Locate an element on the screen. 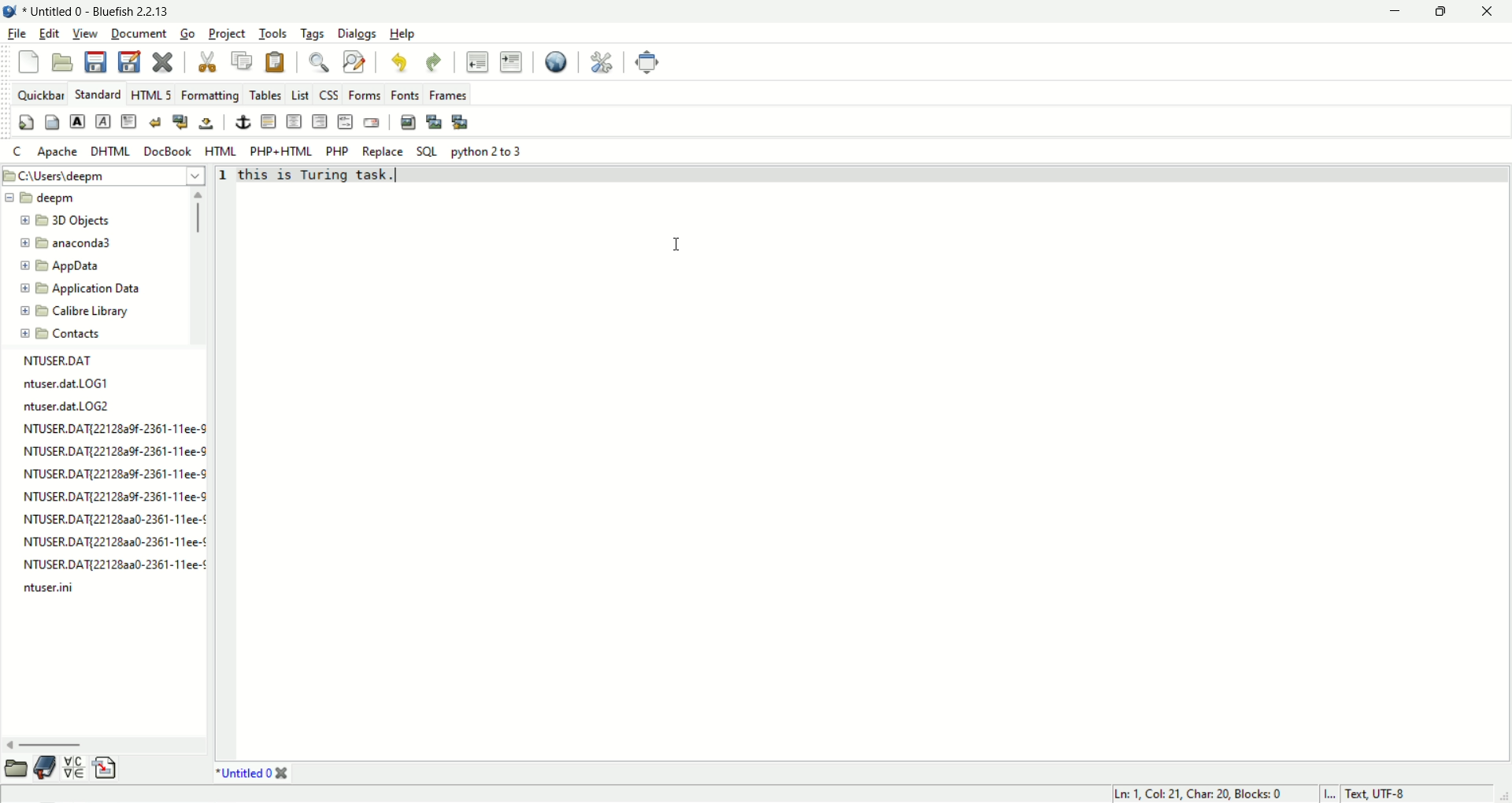 The image size is (1512, 803). PHP is located at coordinates (339, 151).